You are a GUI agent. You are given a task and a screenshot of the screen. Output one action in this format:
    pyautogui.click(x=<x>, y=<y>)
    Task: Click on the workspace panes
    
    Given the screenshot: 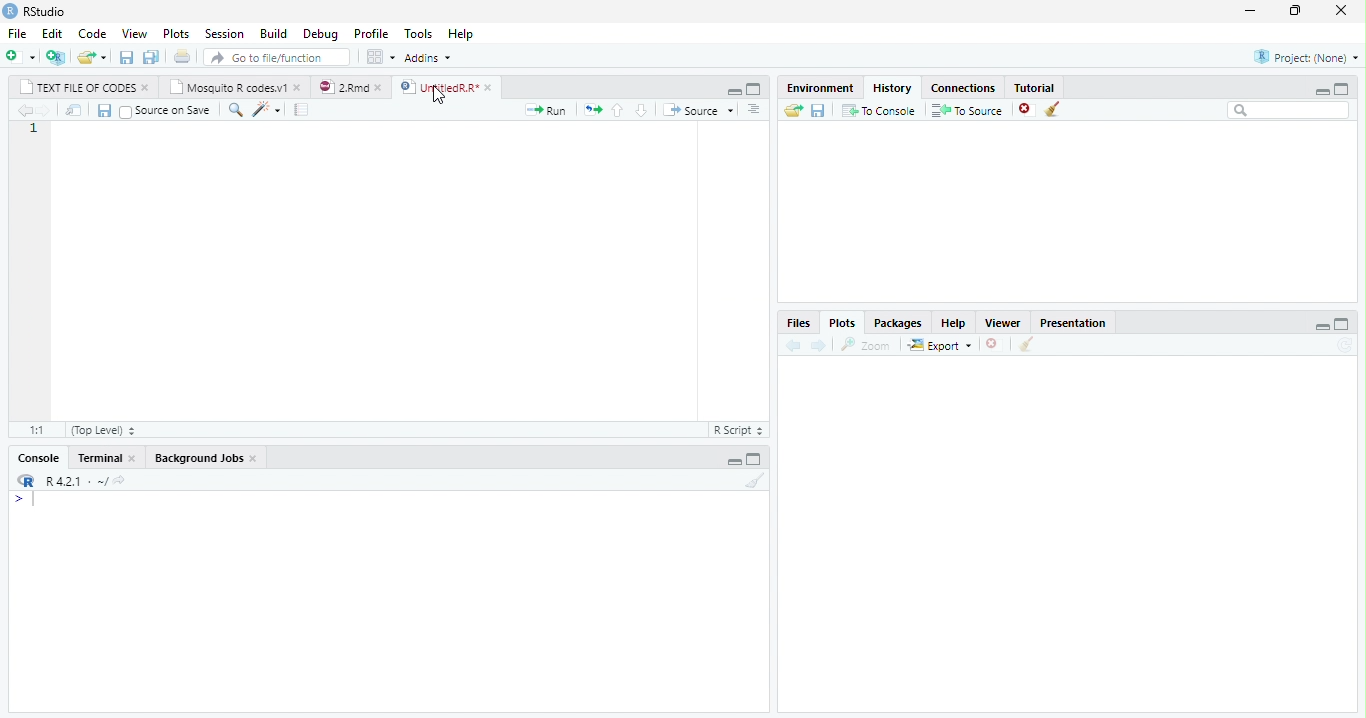 What is the action you would take?
    pyautogui.click(x=378, y=58)
    